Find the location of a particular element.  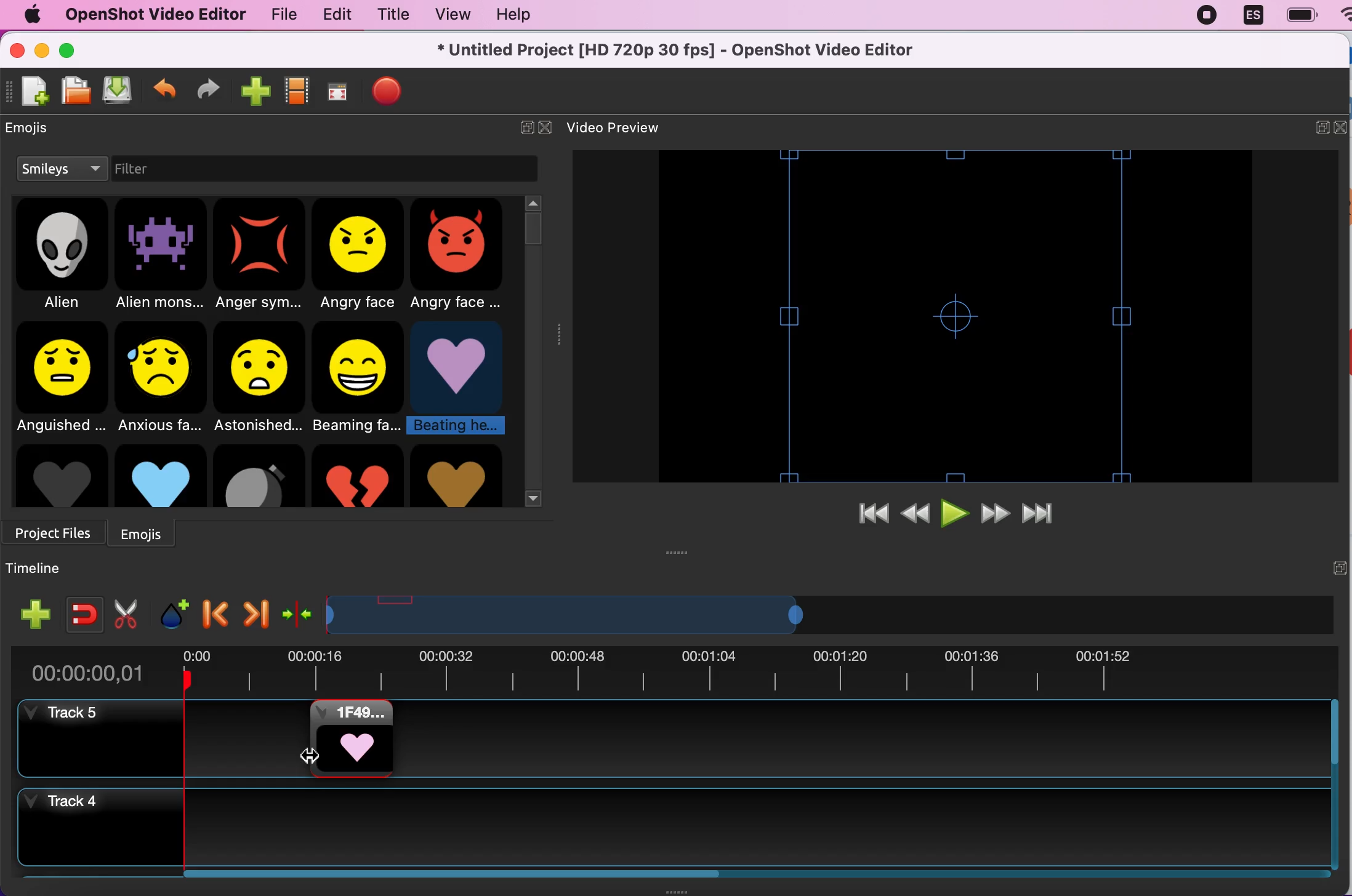

previous marker is located at coordinates (216, 610).